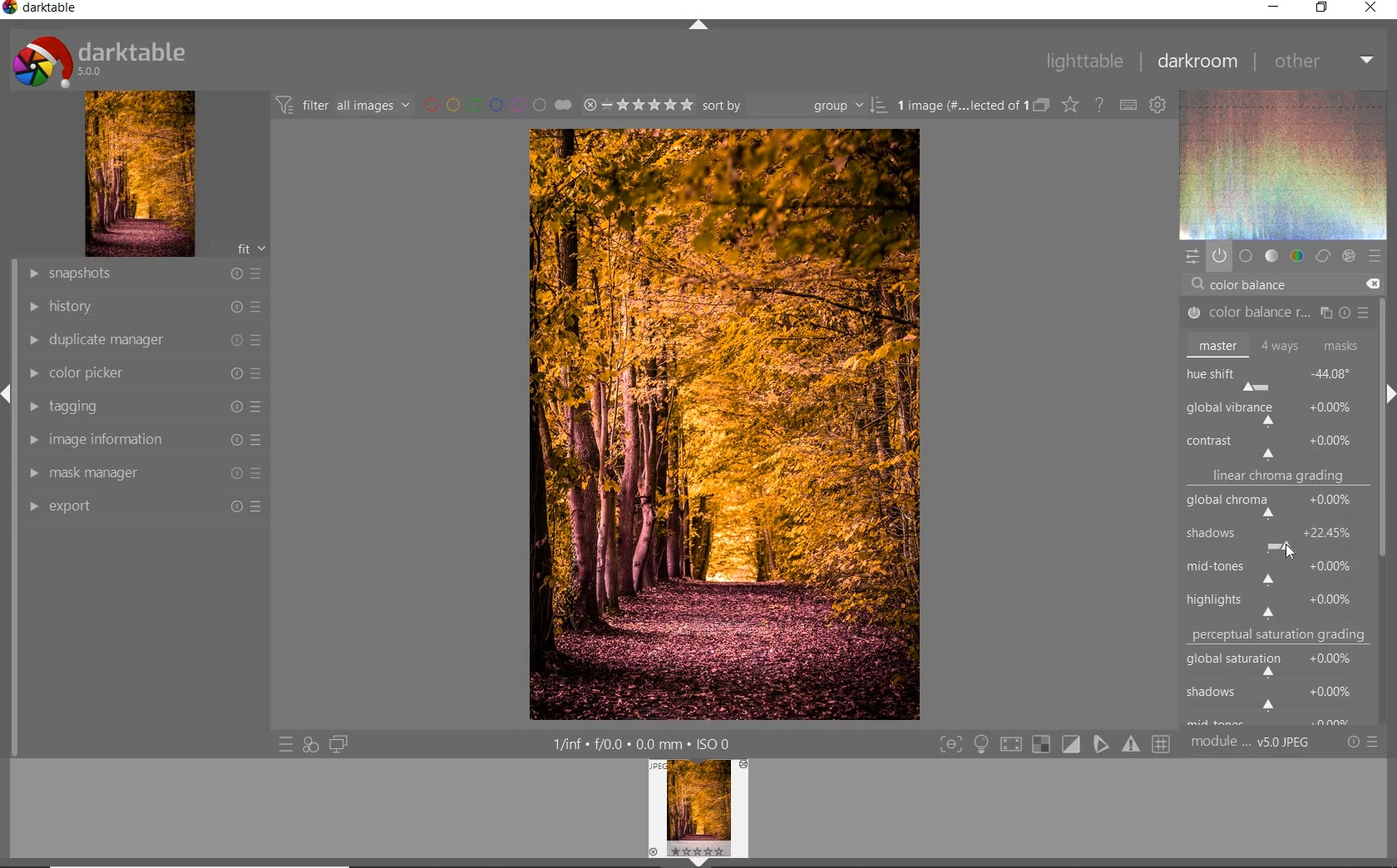 The height and width of the screenshot is (868, 1397). I want to click on highlights, so click(1281, 601).